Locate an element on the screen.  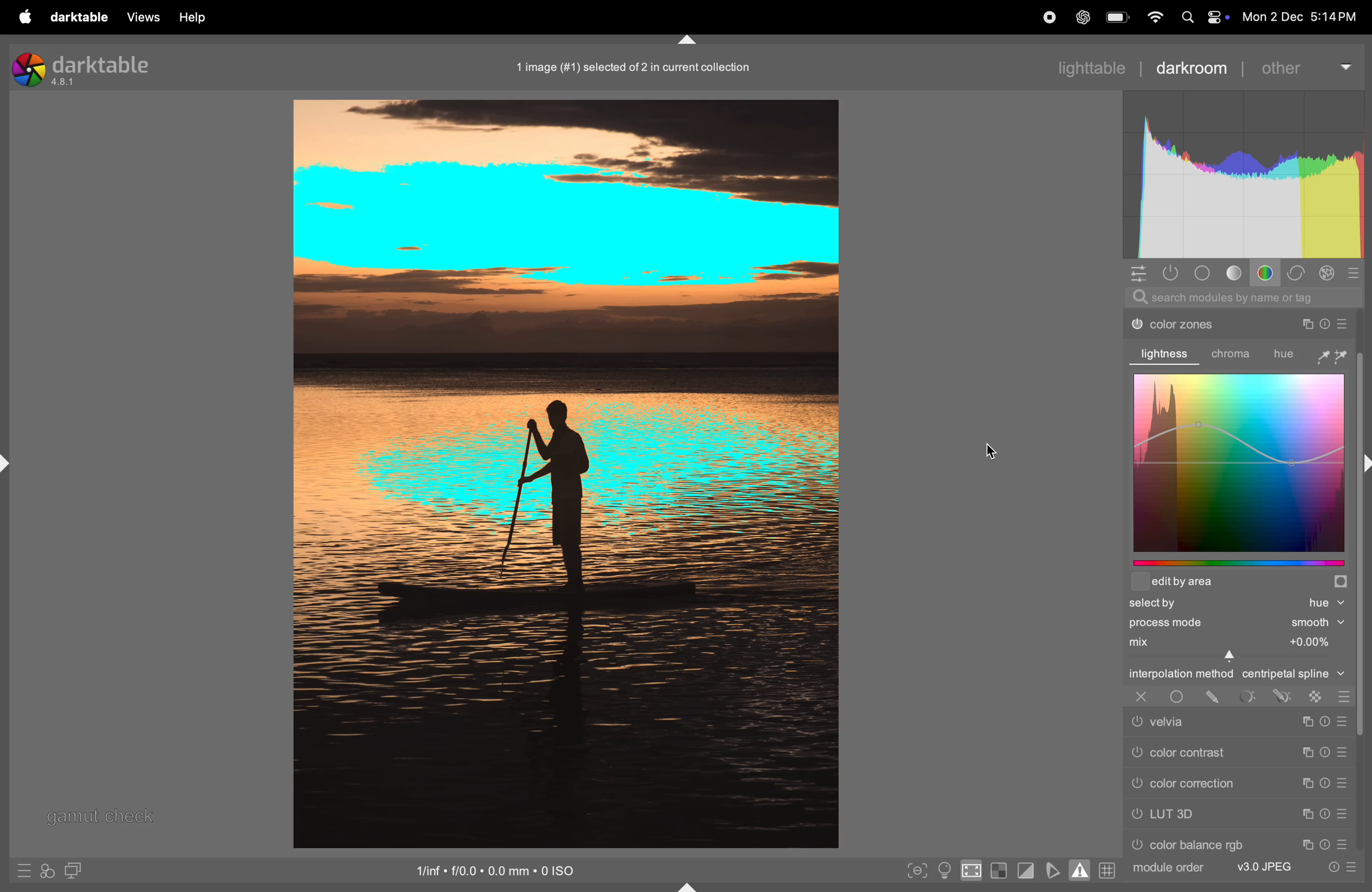
Search is located at coordinates (1188, 18).